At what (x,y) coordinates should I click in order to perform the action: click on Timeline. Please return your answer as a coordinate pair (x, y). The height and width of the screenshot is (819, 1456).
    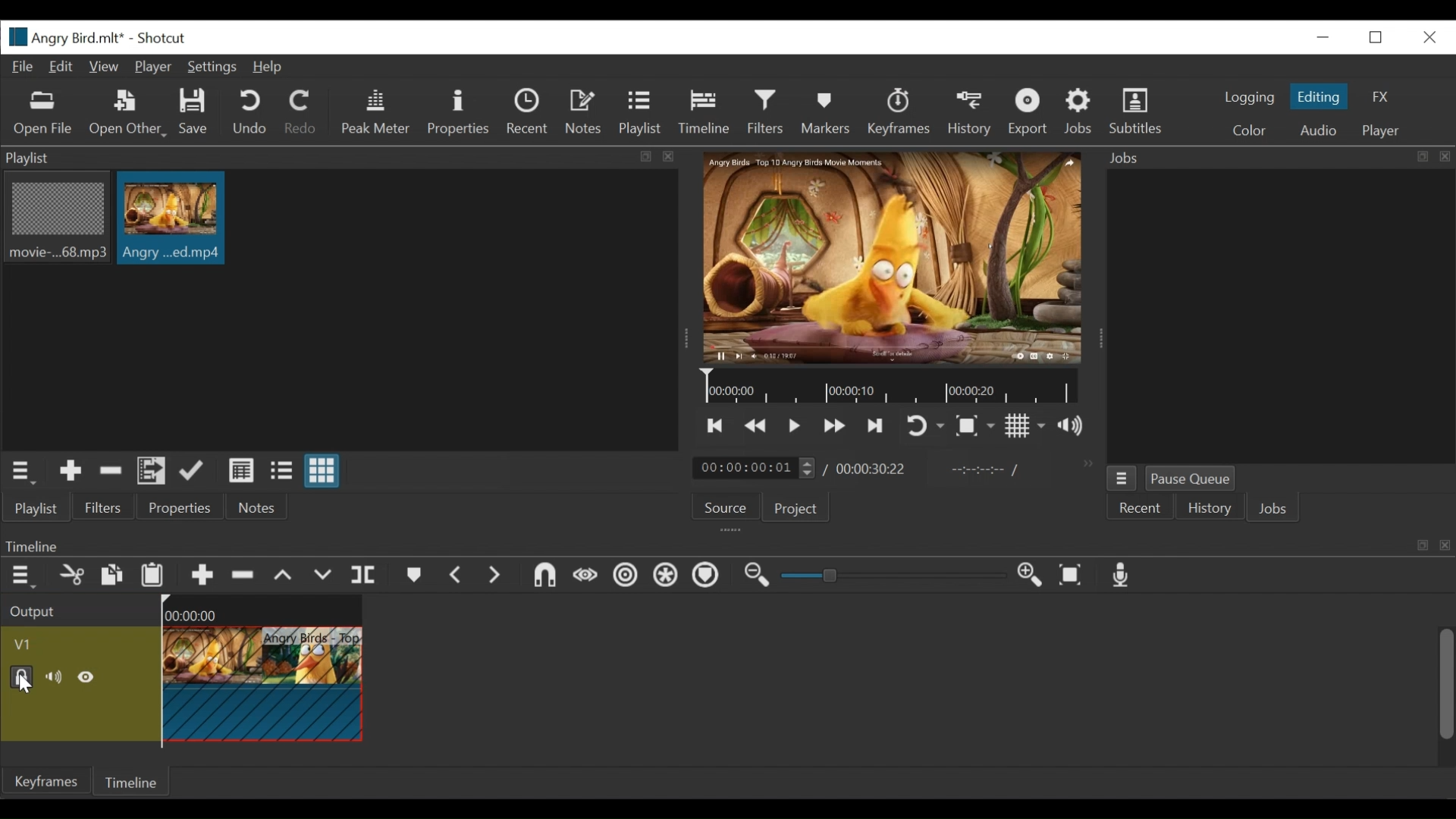
    Looking at the image, I should click on (727, 543).